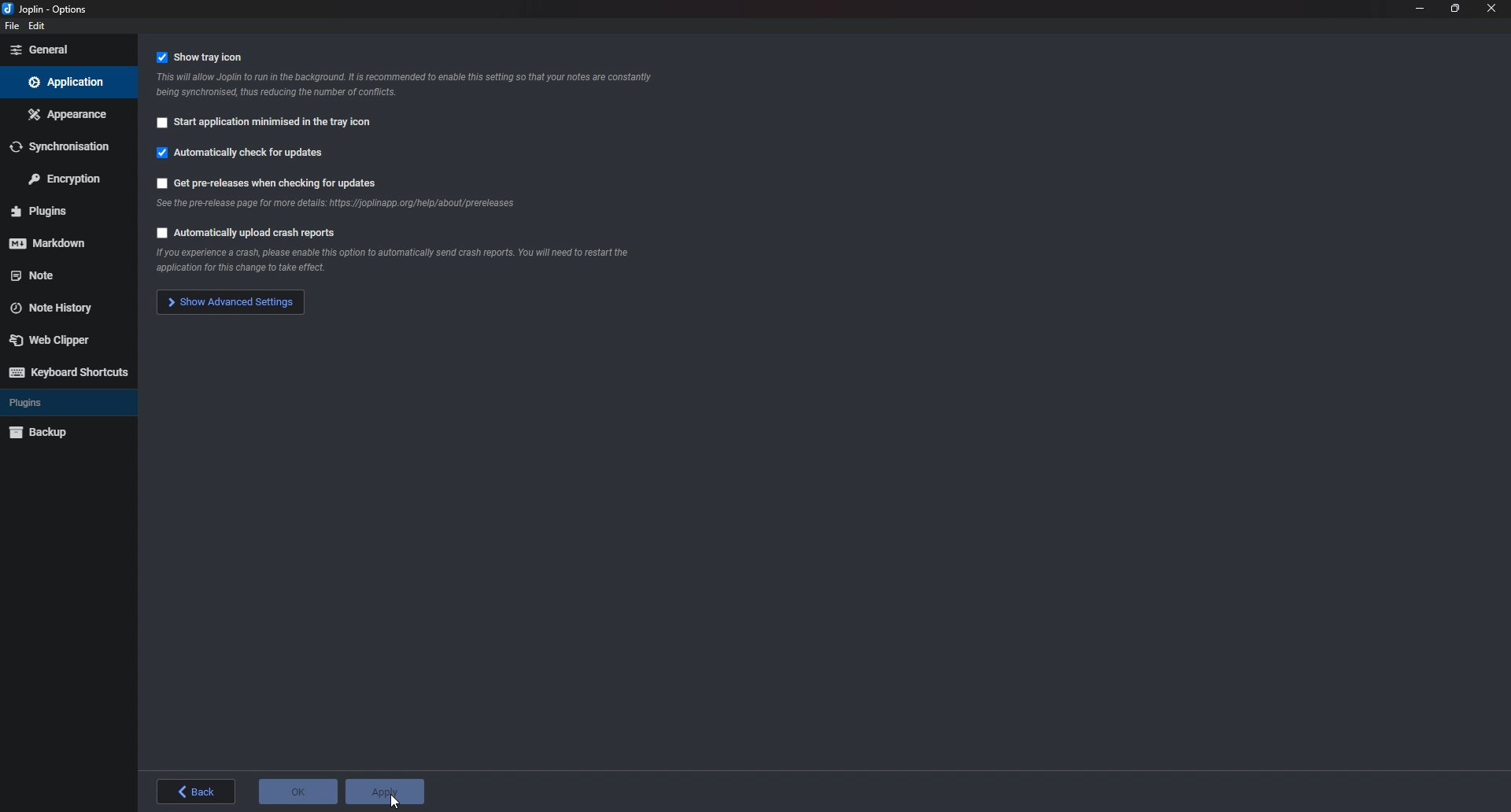  What do you see at coordinates (199, 792) in the screenshot?
I see `back` at bounding box center [199, 792].